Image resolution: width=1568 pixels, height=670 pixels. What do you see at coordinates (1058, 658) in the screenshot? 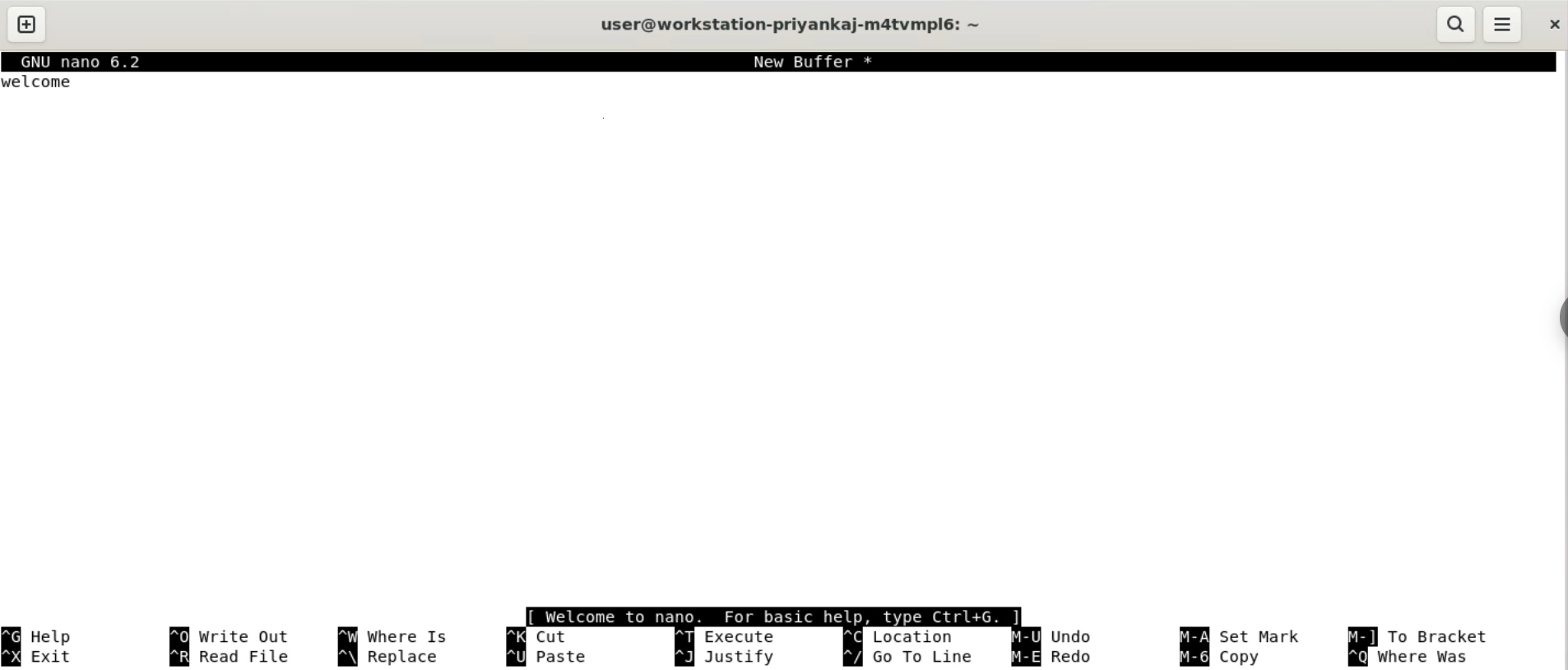
I see `redo` at bounding box center [1058, 658].